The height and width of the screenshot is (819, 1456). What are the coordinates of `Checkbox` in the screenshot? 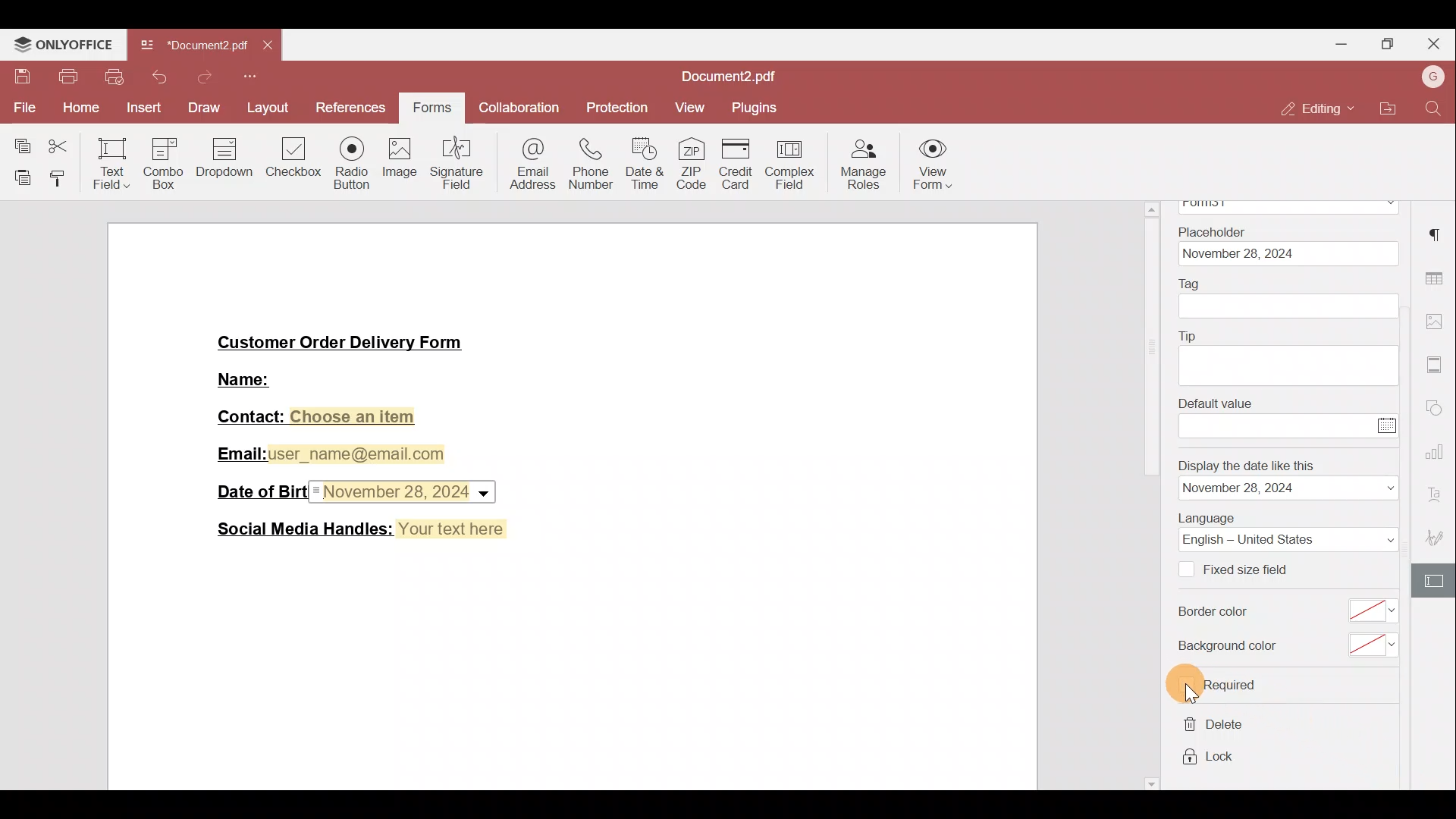 It's located at (295, 163).